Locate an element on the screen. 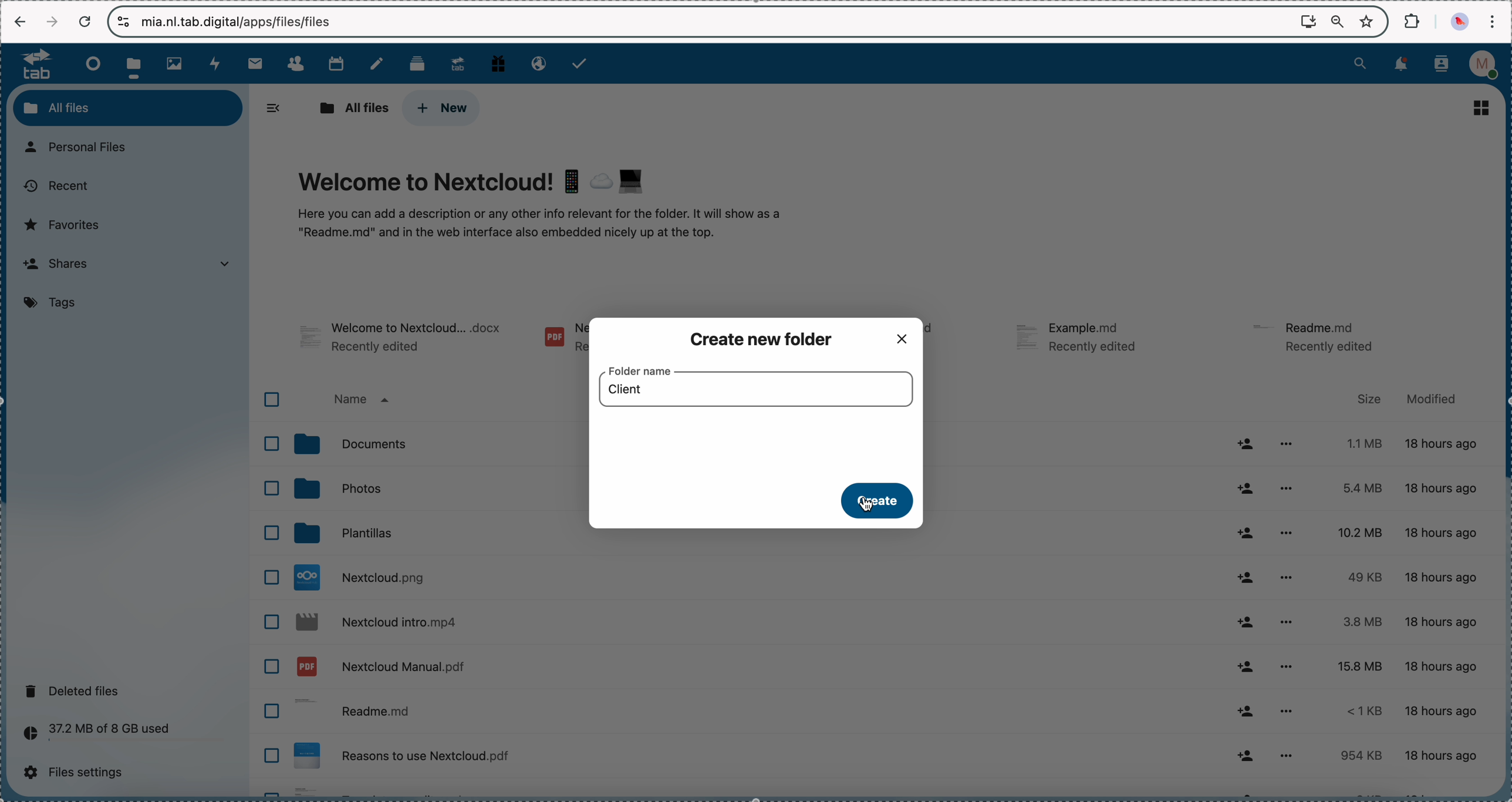  click on new is located at coordinates (440, 108).